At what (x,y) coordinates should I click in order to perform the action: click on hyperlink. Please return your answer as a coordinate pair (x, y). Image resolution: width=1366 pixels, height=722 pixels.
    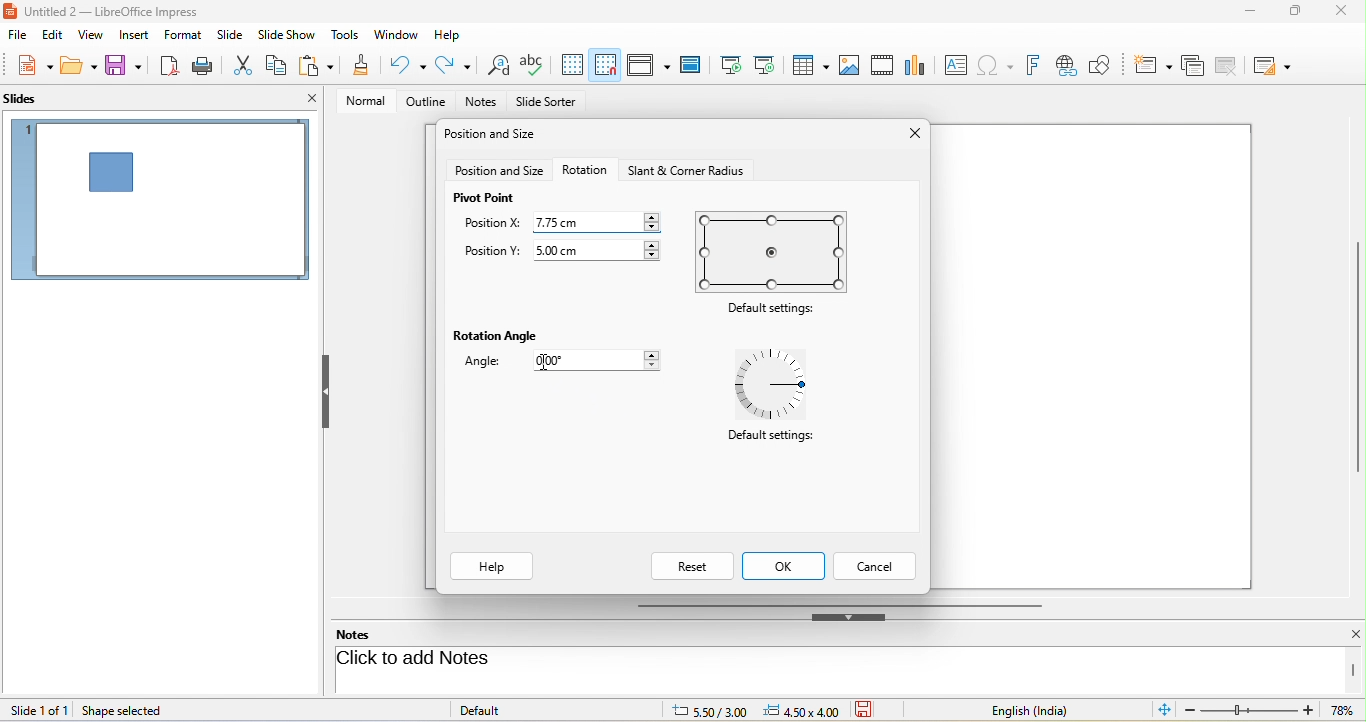
    Looking at the image, I should click on (1070, 66).